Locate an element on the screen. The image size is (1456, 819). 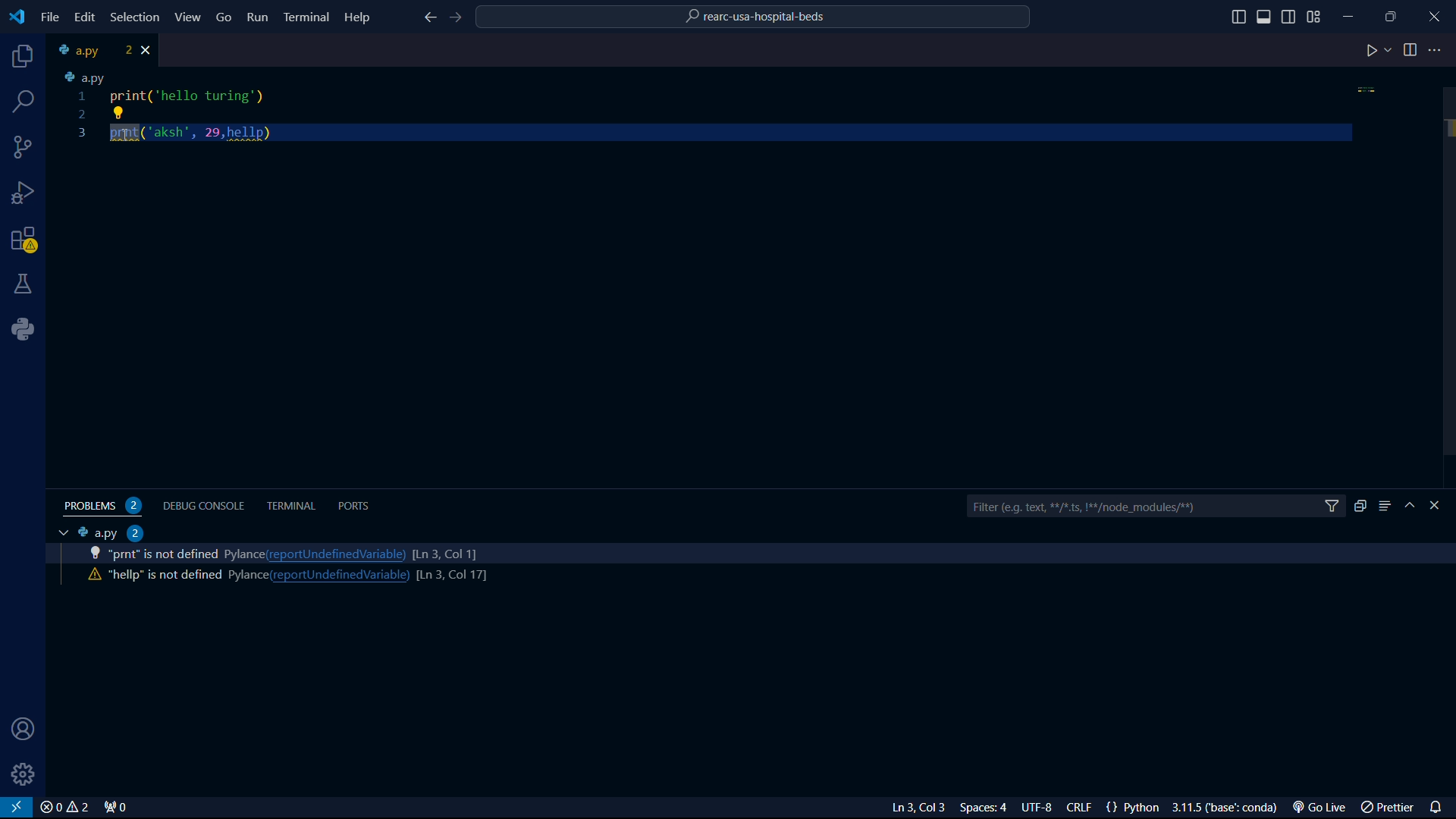
{} Python is located at coordinates (1135, 808).